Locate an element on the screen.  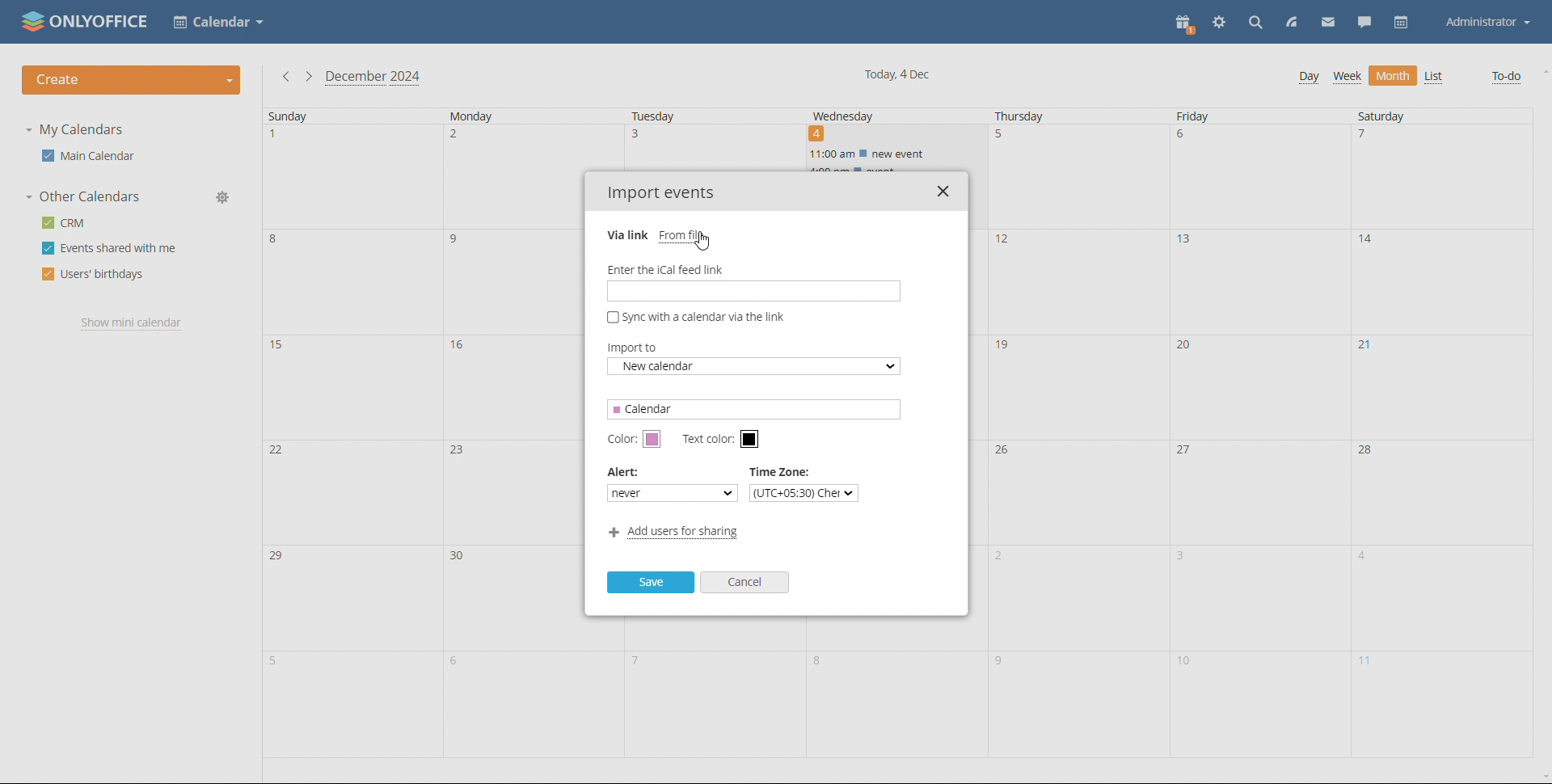
set time zone is located at coordinates (803, 493).